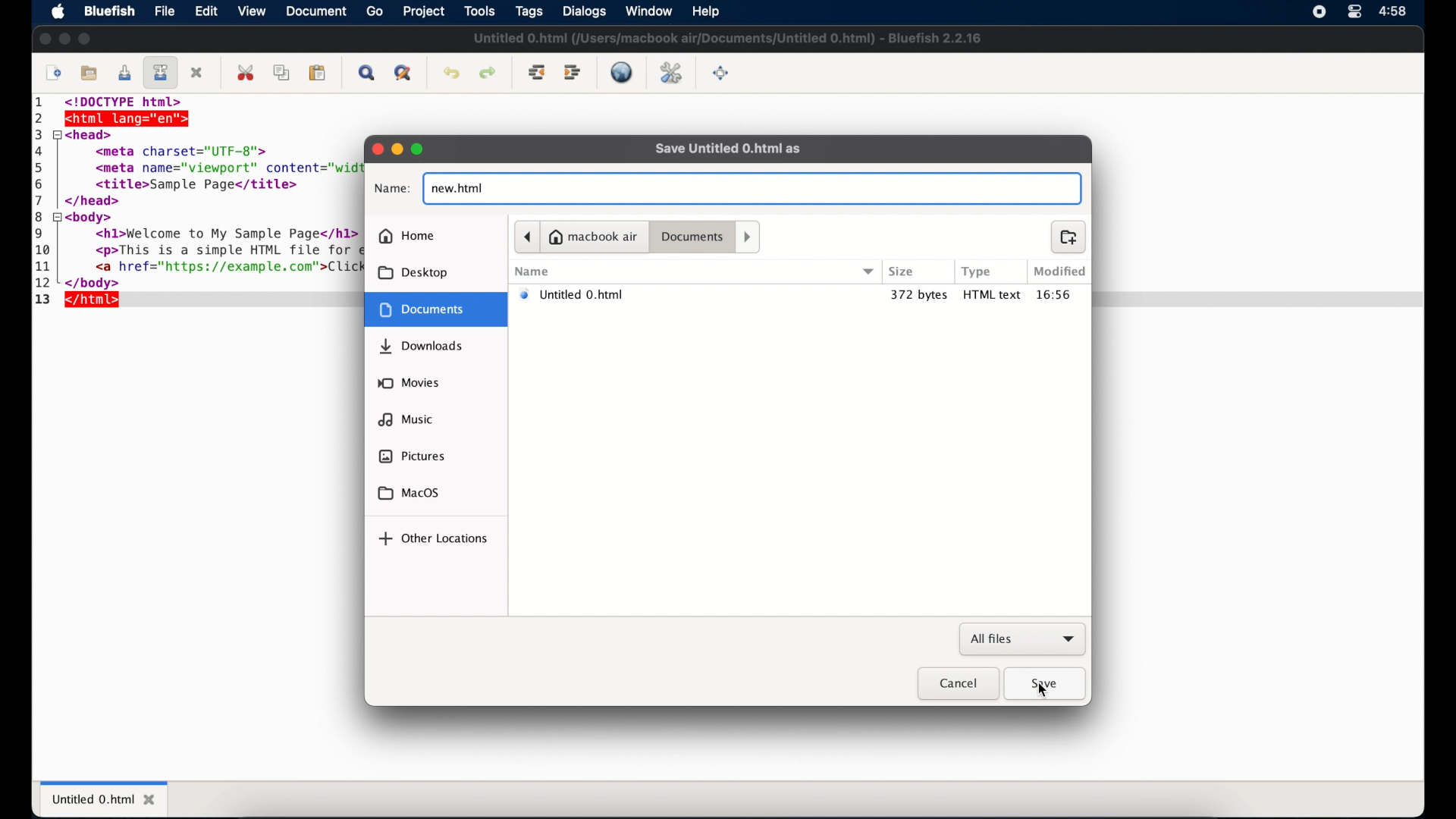 The image size is (1456, 819). I want to click on document, so click(434, 309).